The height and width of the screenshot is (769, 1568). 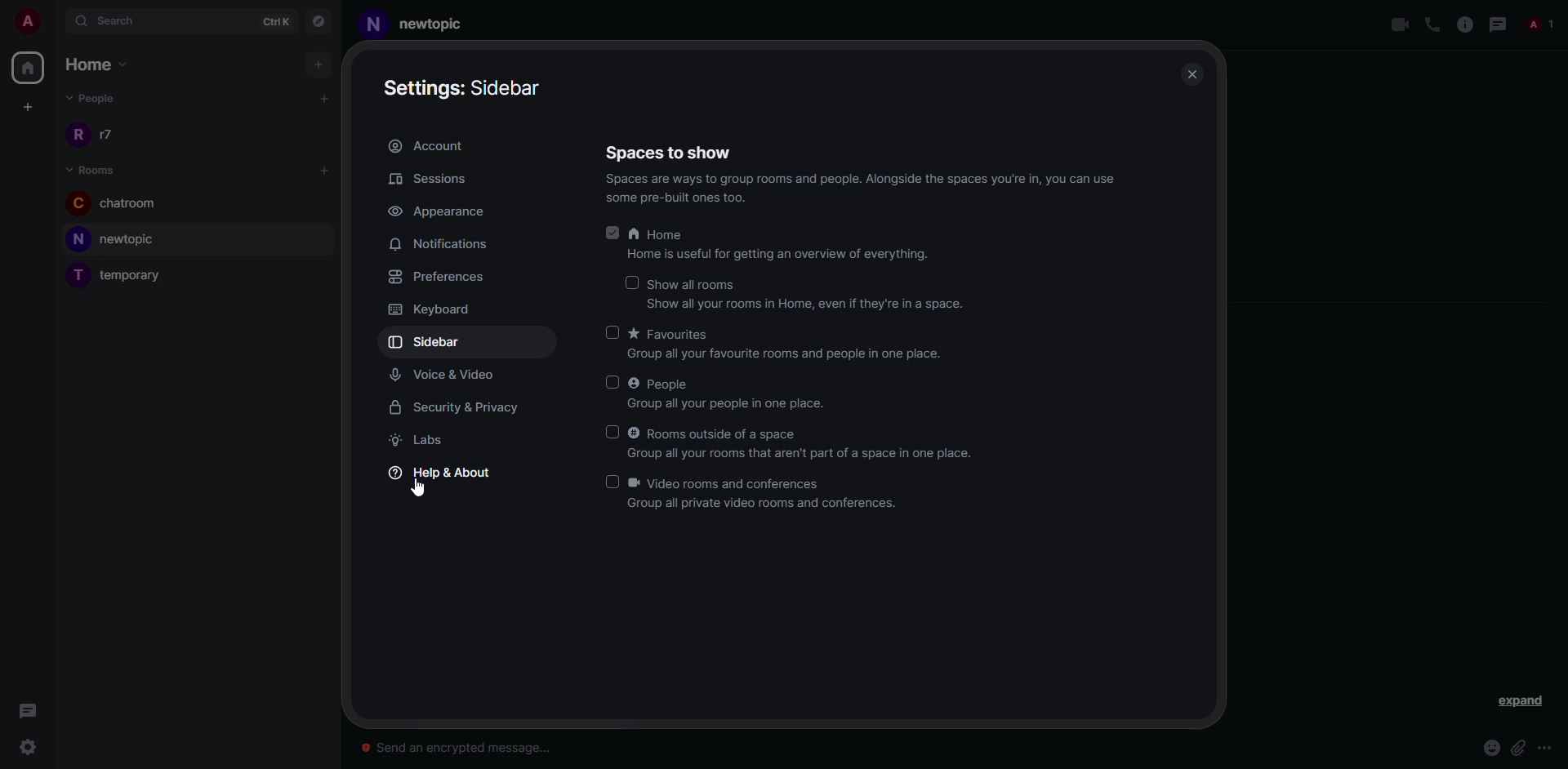 I want to click on people, so click(x=1539, y=24).